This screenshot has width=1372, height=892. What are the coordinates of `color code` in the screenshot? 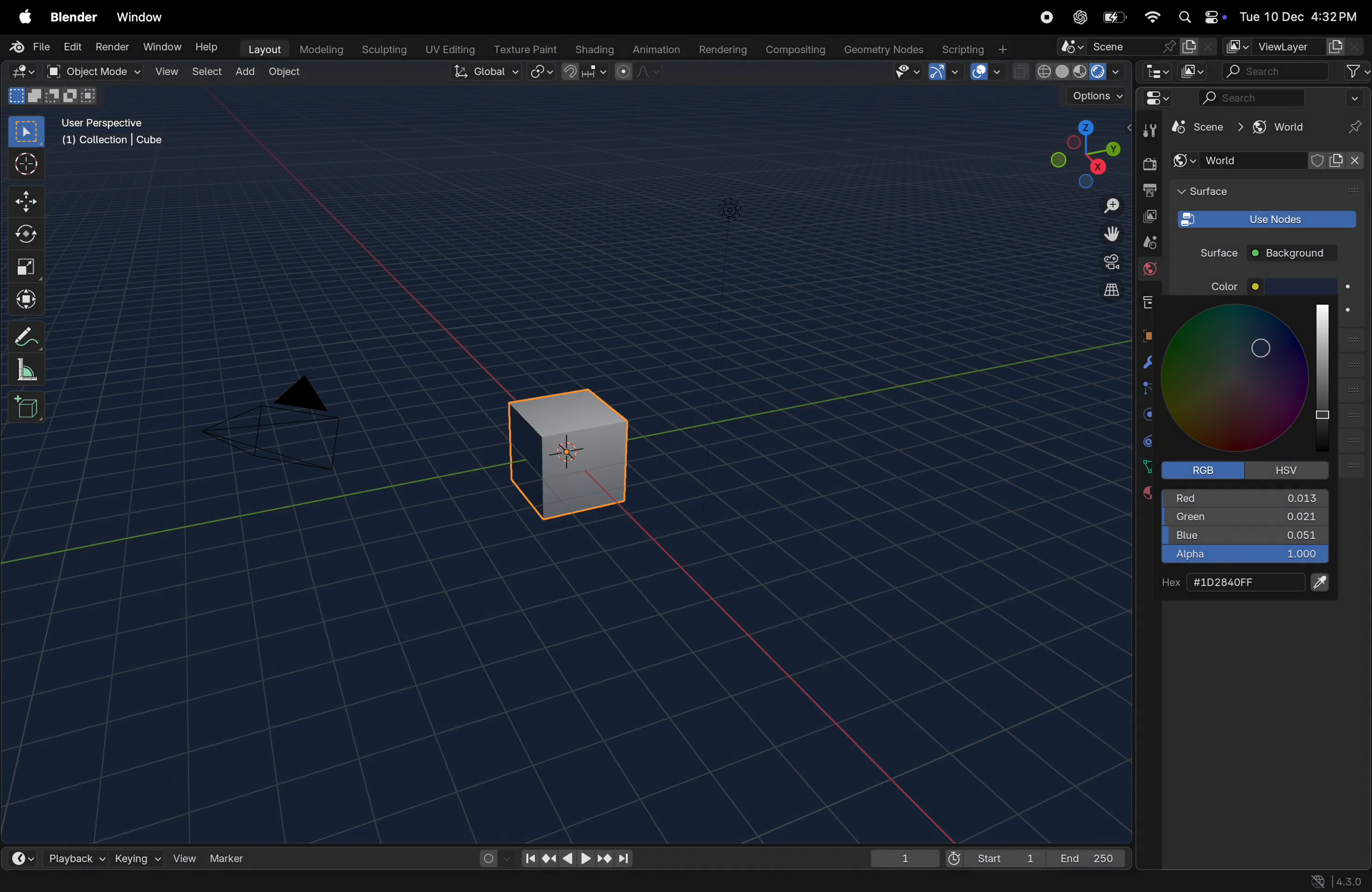 It's located at (1243, 583).